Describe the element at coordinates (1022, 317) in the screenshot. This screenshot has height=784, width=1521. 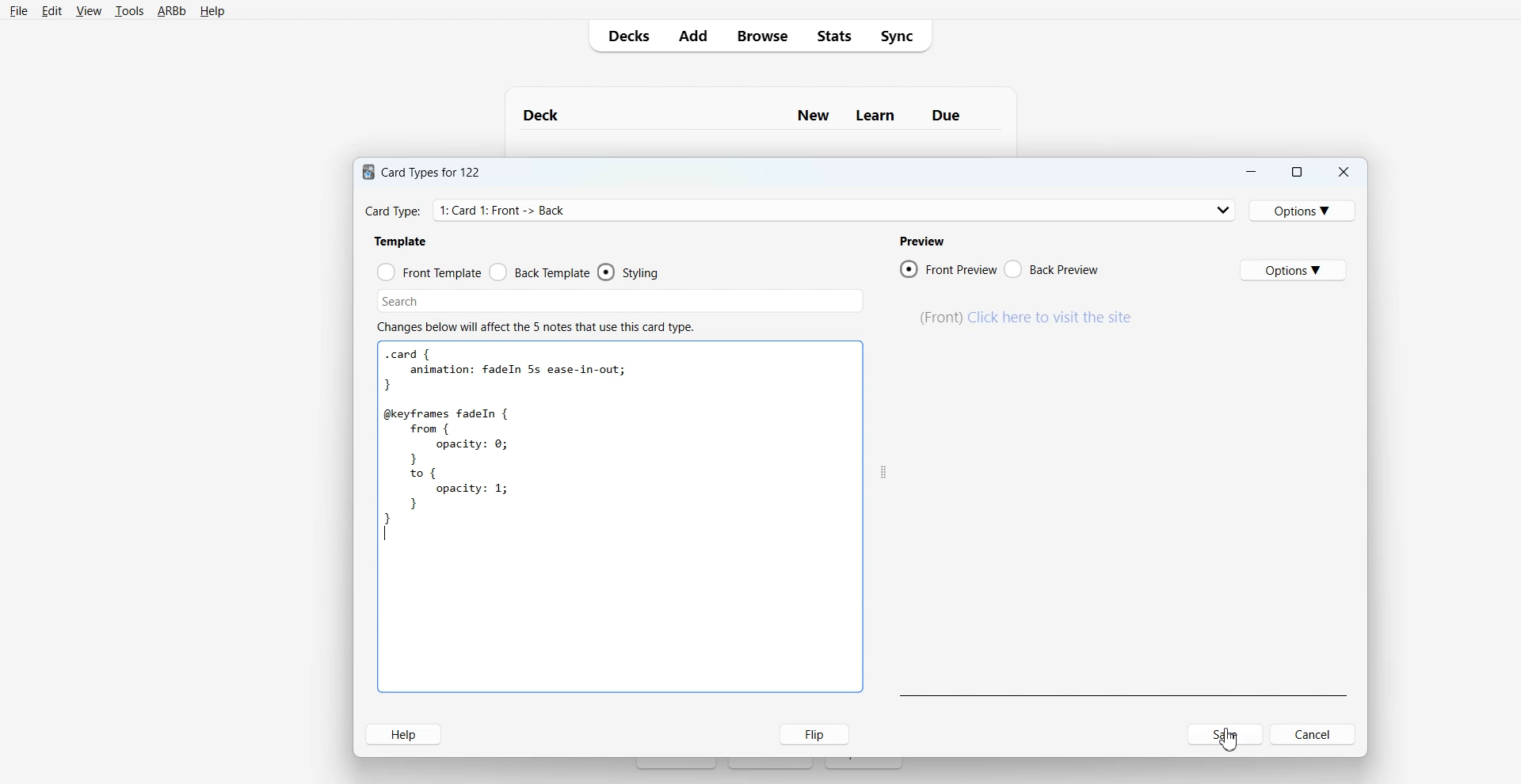
I see `Animation` at that location.